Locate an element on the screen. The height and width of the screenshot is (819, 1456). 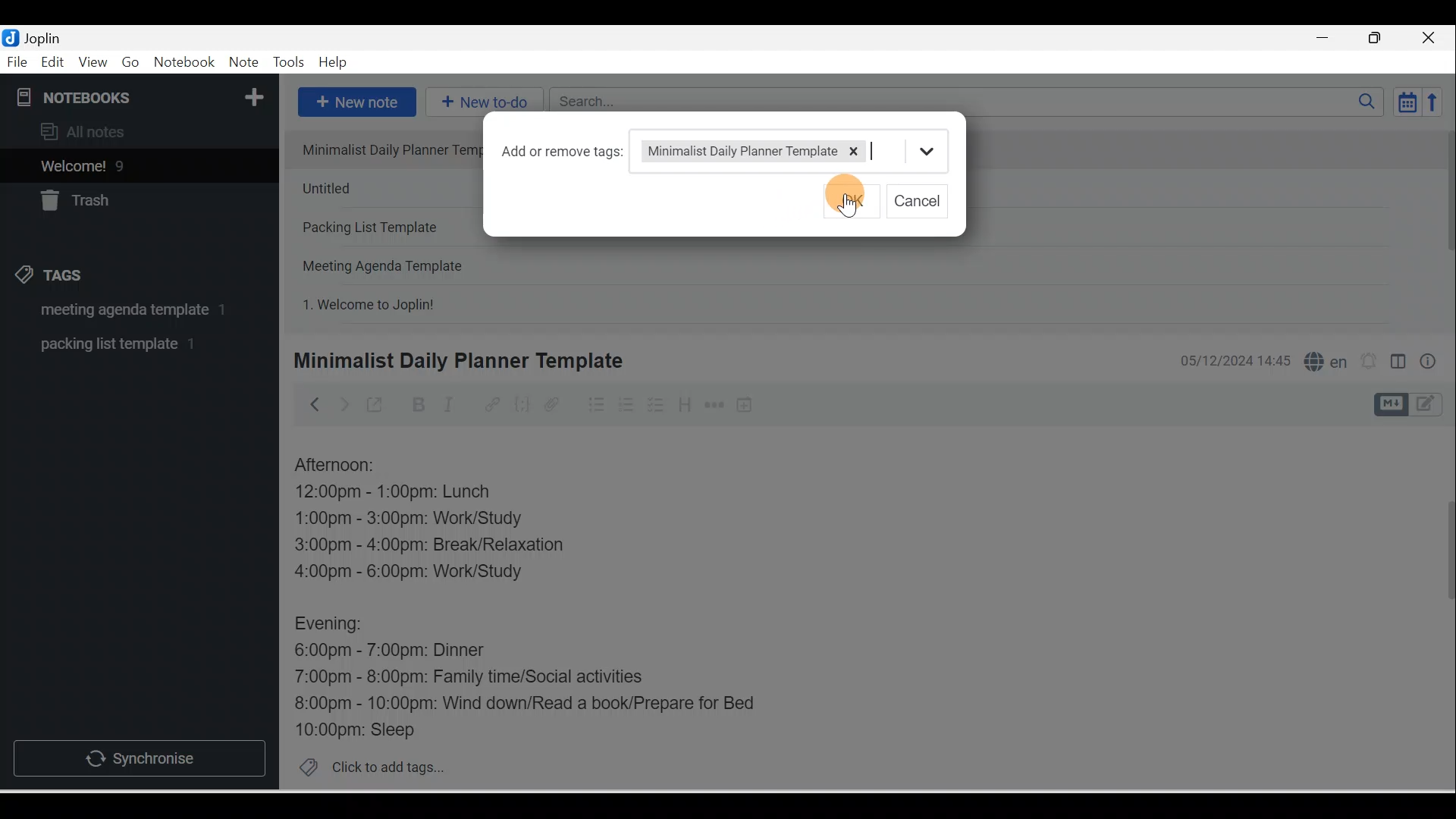
Bold is located at coordinates (416, 405).